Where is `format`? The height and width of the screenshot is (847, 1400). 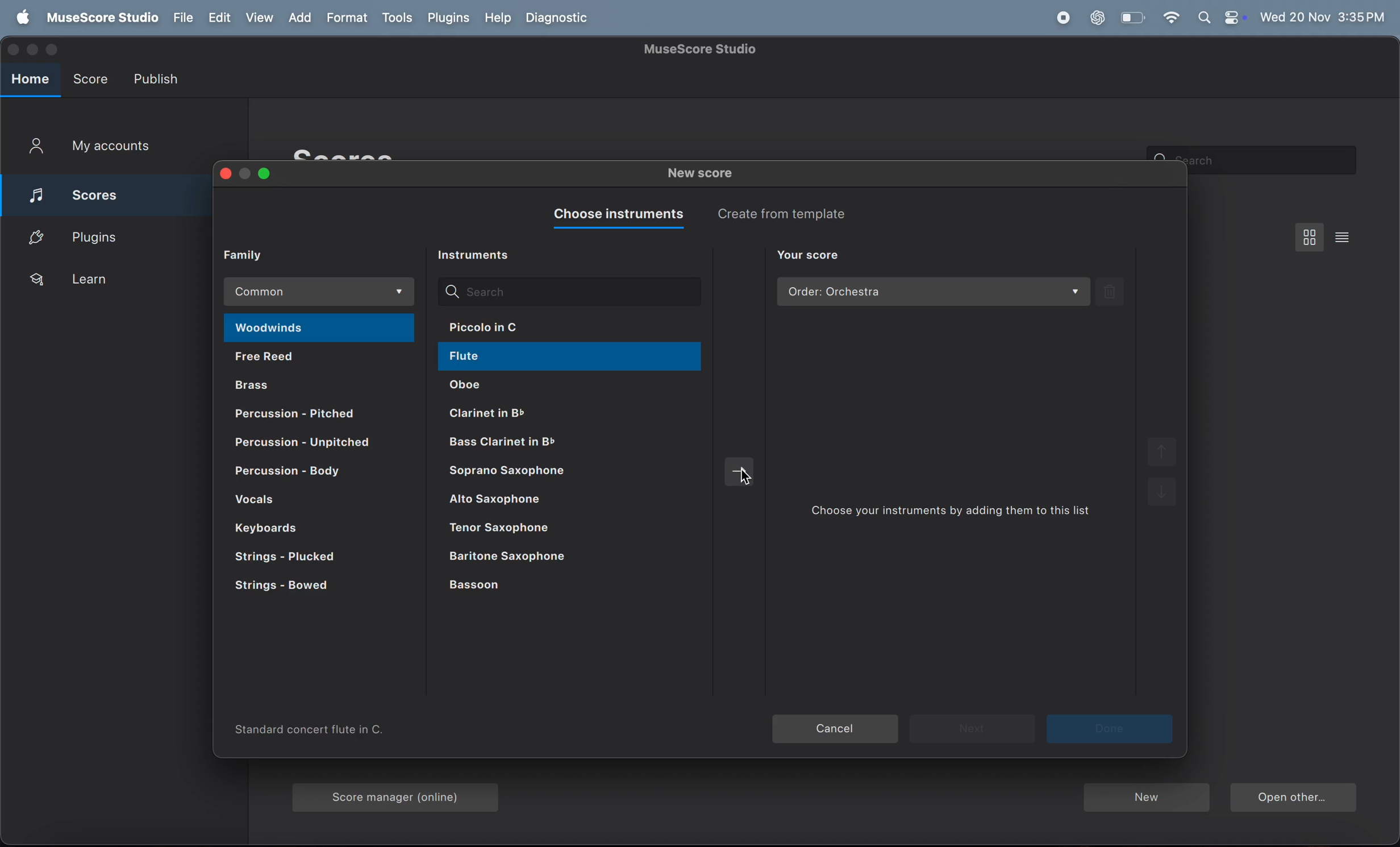
format is located at coordinates (349, 18).